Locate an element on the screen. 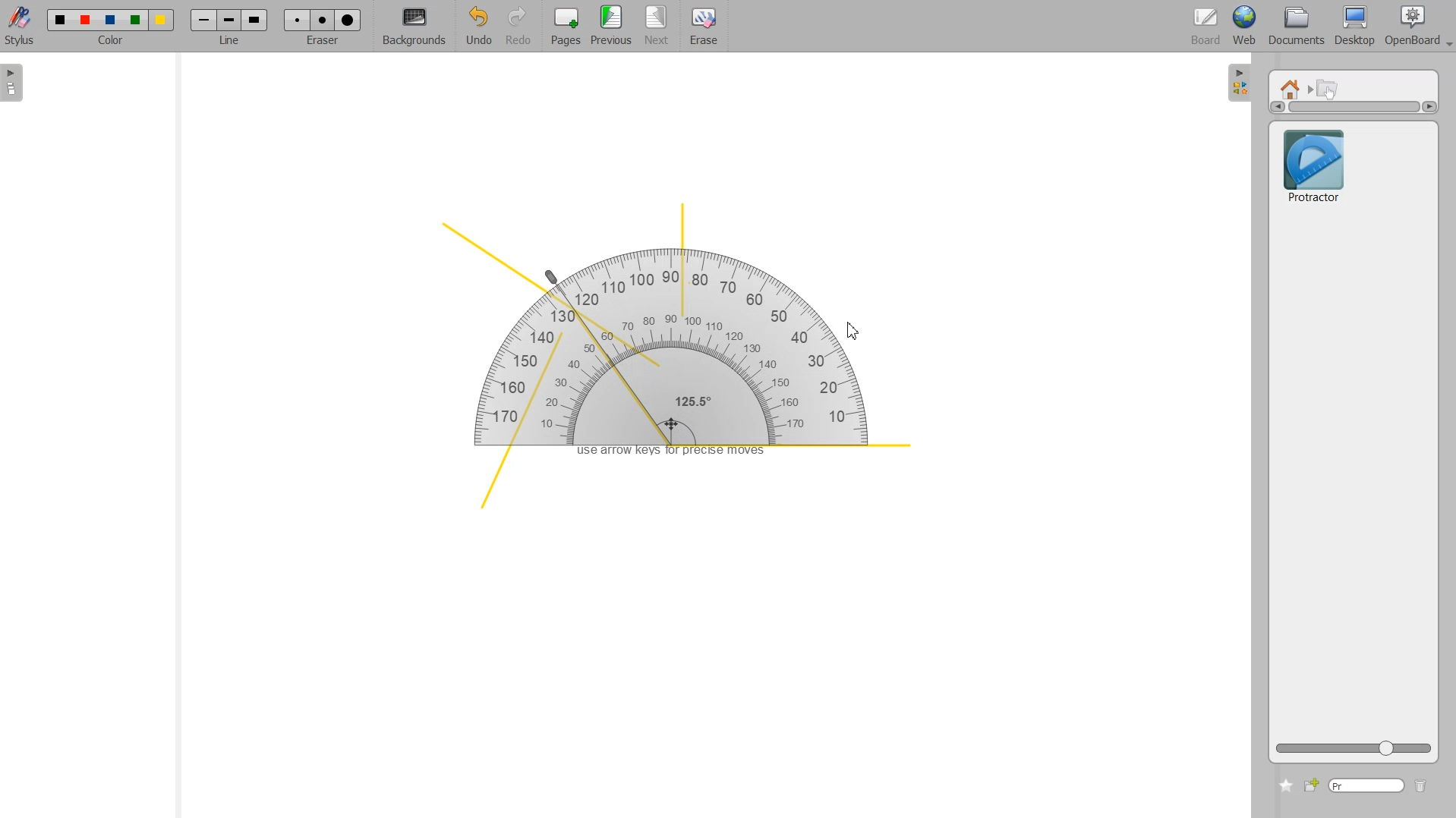 The image size is (1456, 818). Desktop is located at coordinates (1354, 27).